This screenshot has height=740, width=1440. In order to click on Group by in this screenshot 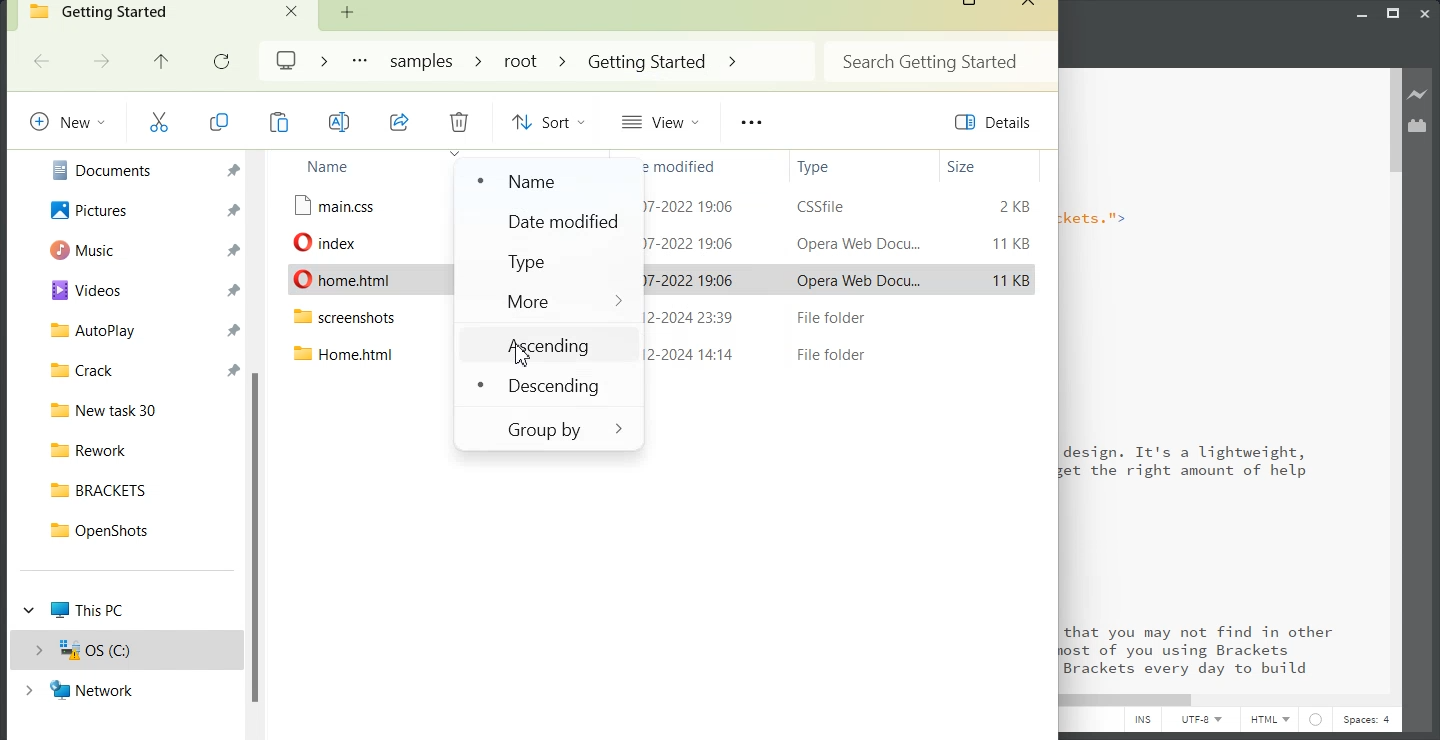, I will do `click(546, 429)`.